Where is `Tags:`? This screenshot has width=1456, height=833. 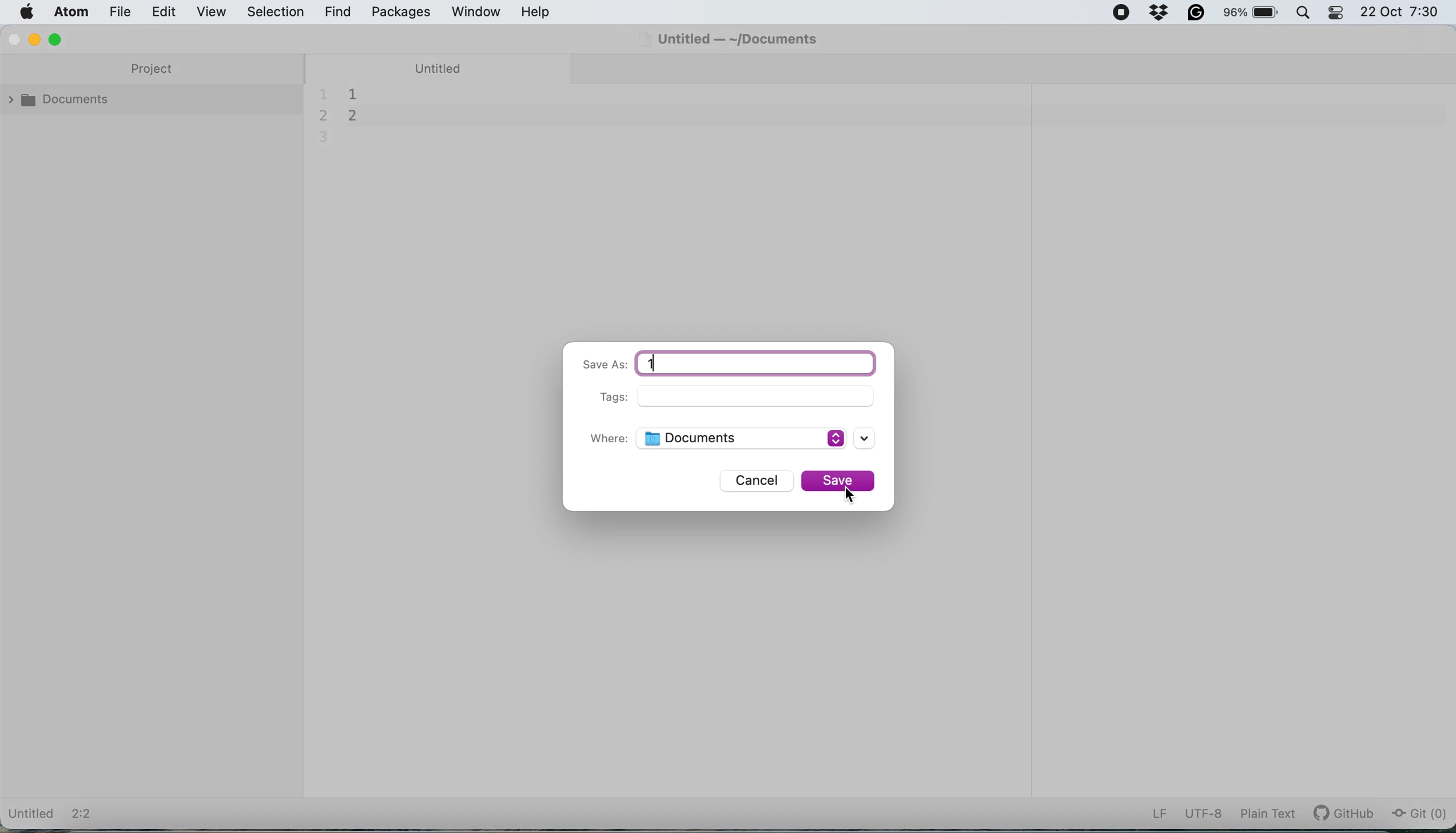 Tags: is located at coordinates (604, 398).